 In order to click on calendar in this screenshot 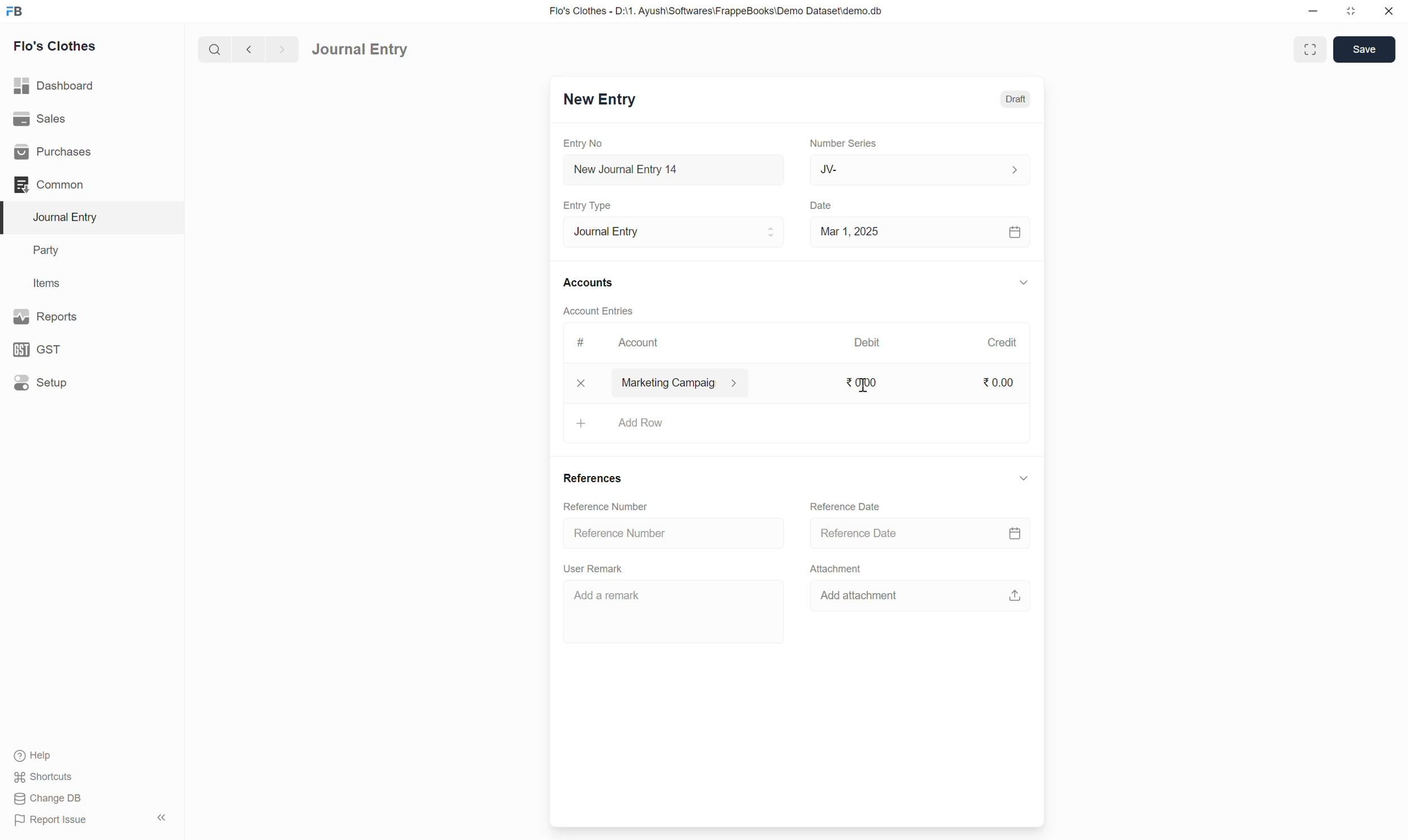, I will do `click(1015, 533)`.